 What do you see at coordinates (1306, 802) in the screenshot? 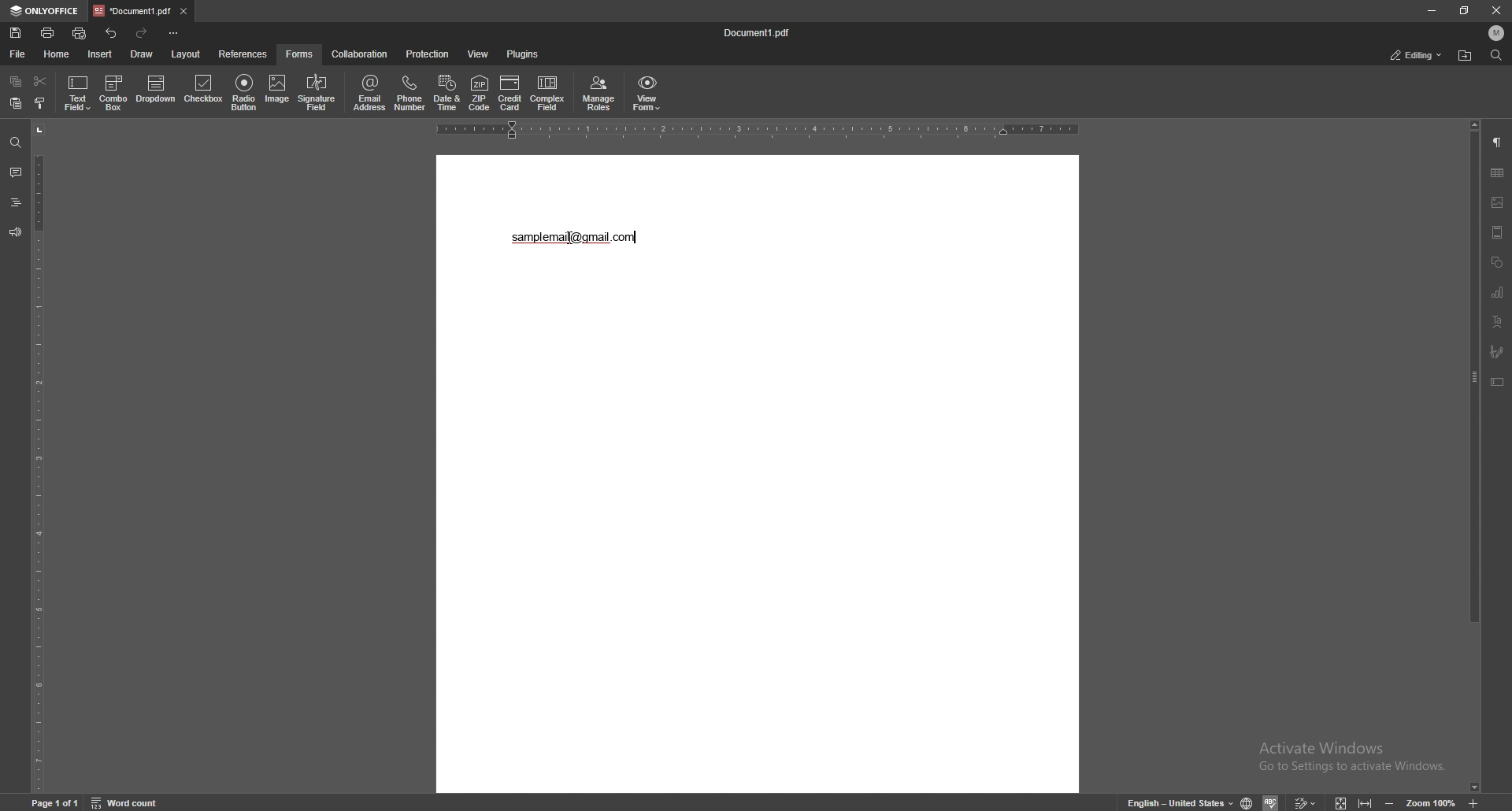
I see `track changes` at bounding box center [1306, 802].